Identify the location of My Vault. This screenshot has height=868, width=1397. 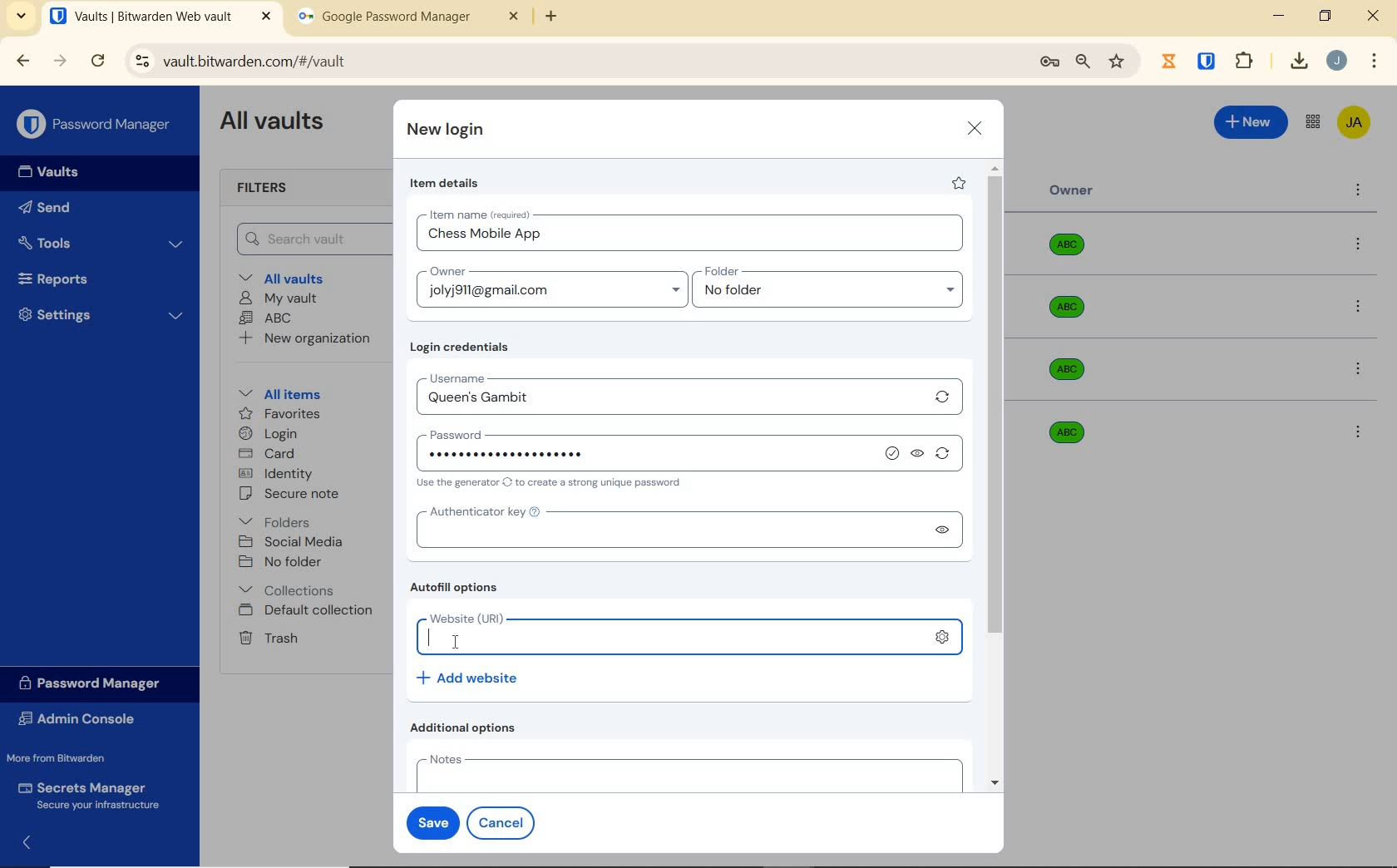
(279, 298).